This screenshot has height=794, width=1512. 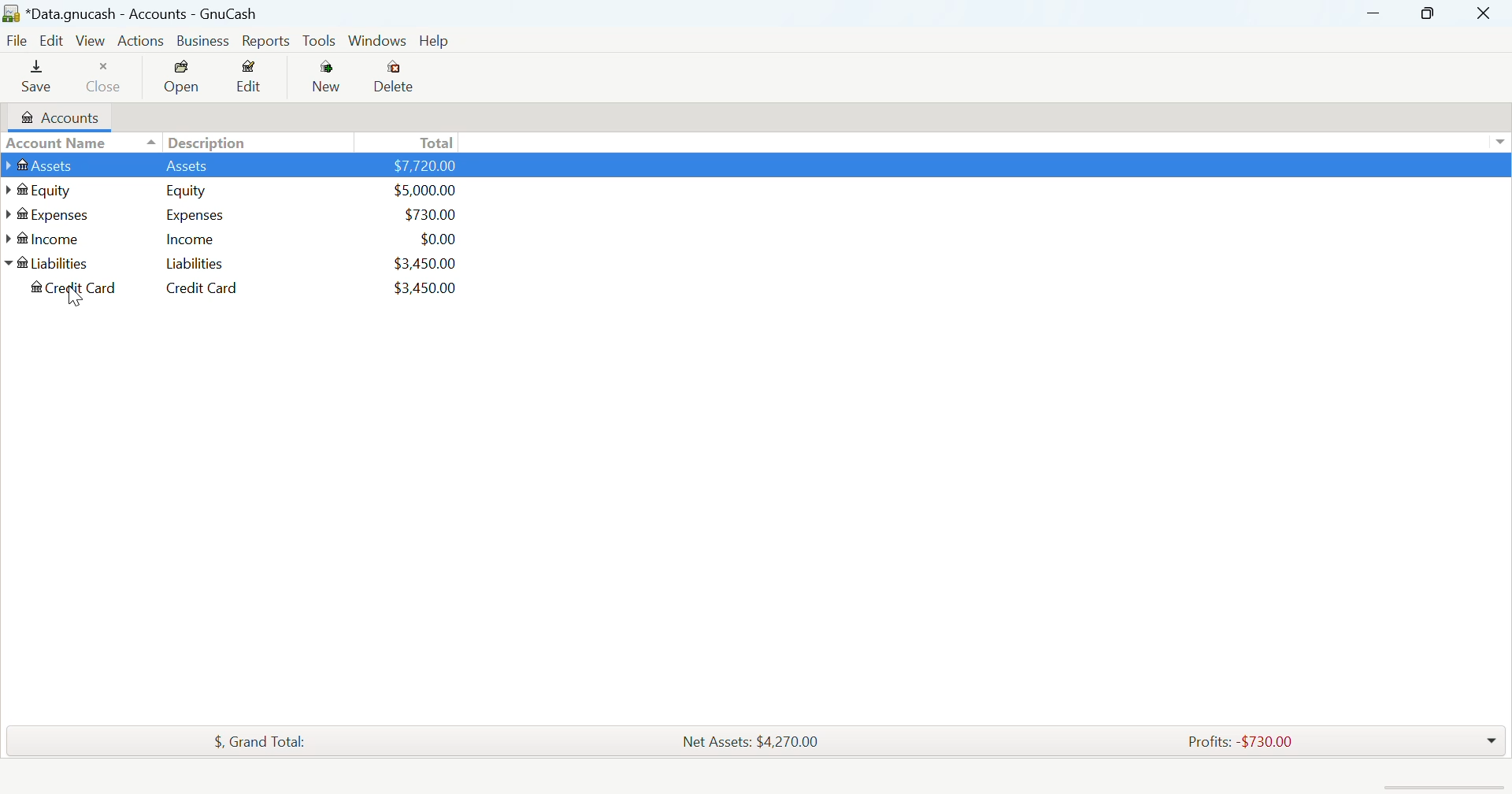 I want to click on File, so click(x=16, y=39).